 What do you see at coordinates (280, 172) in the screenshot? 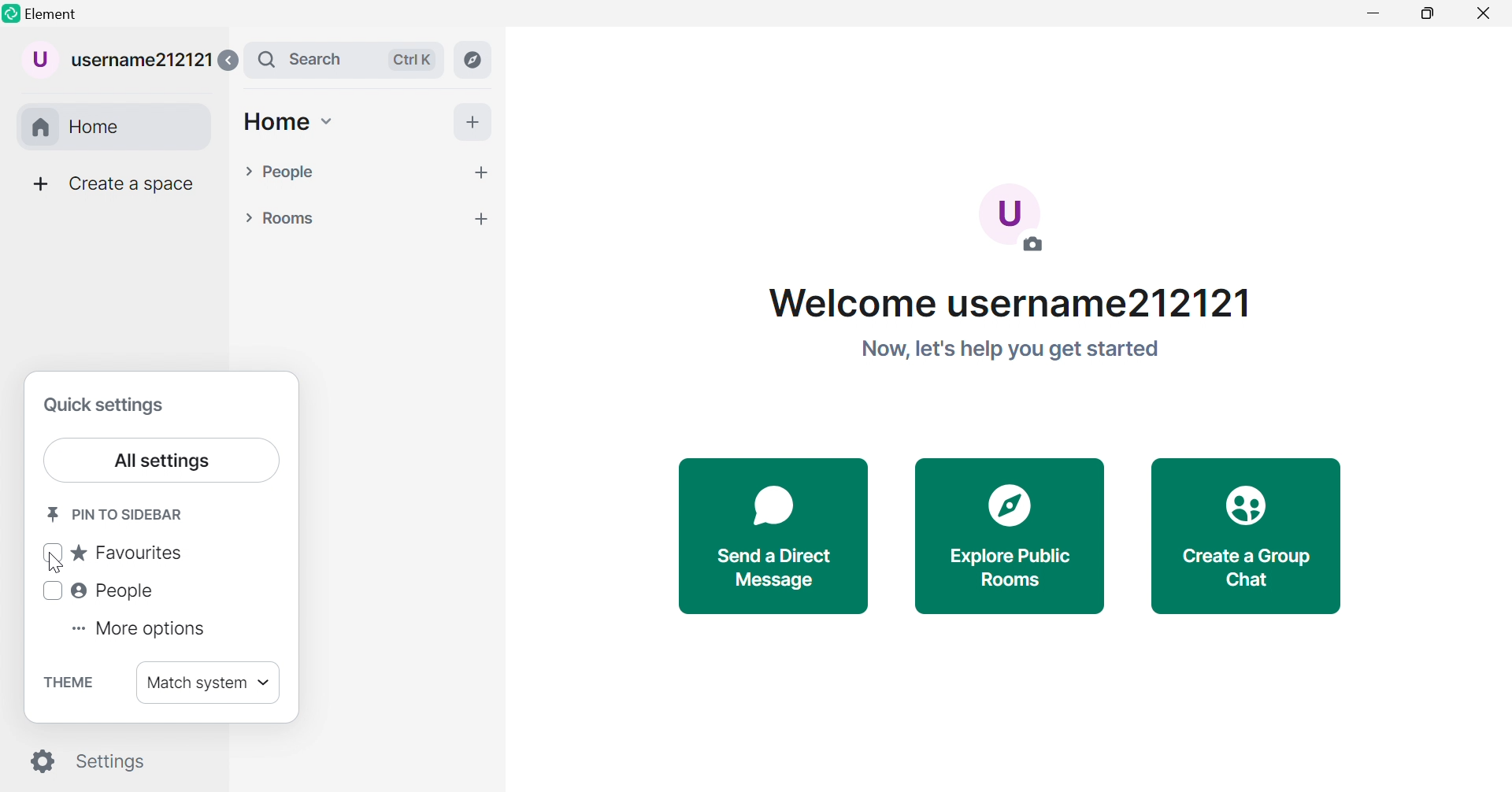
I see `People` at bounding box center [280, 172].